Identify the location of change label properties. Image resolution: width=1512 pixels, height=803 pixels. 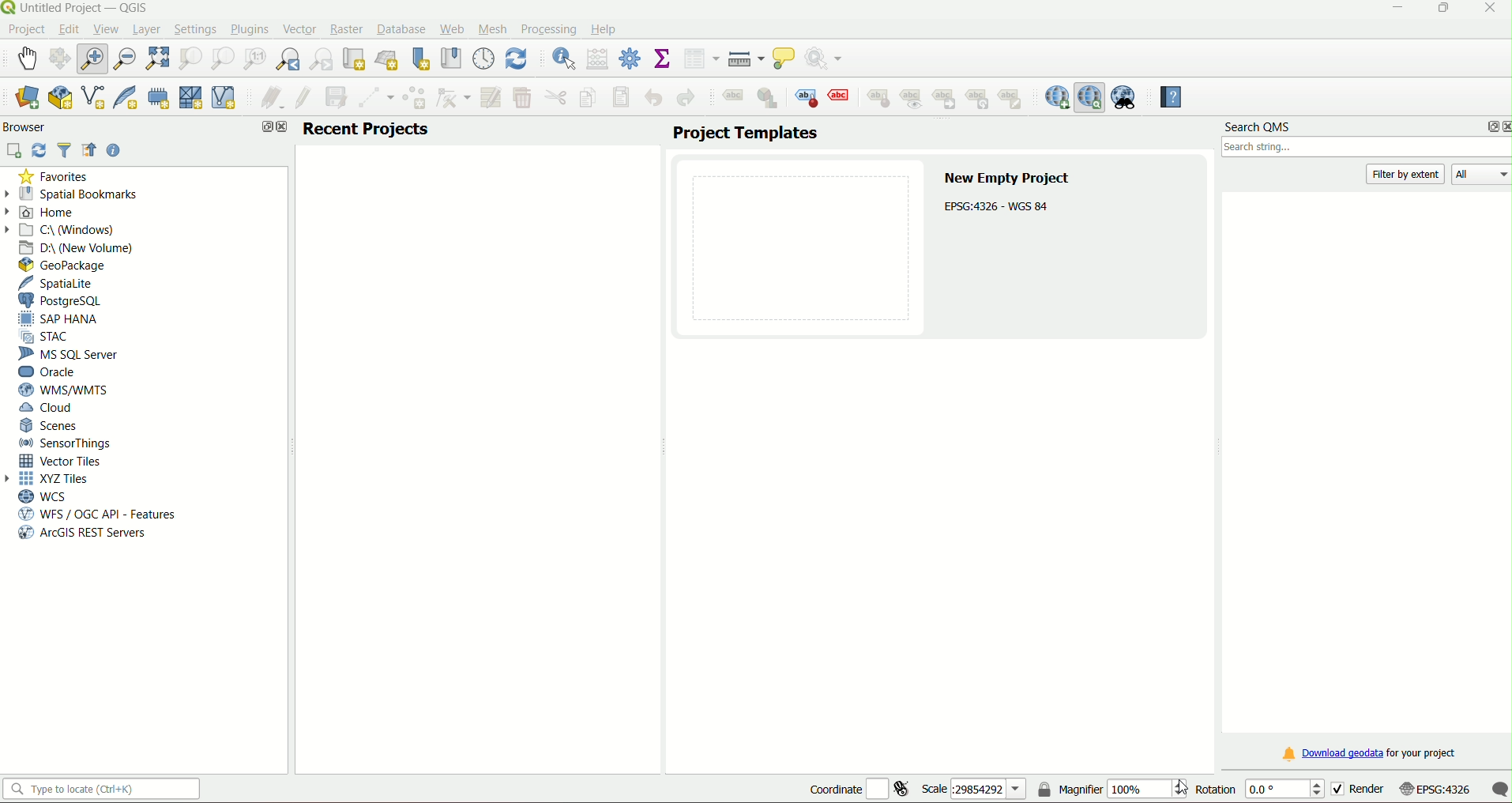
(1014, 102).